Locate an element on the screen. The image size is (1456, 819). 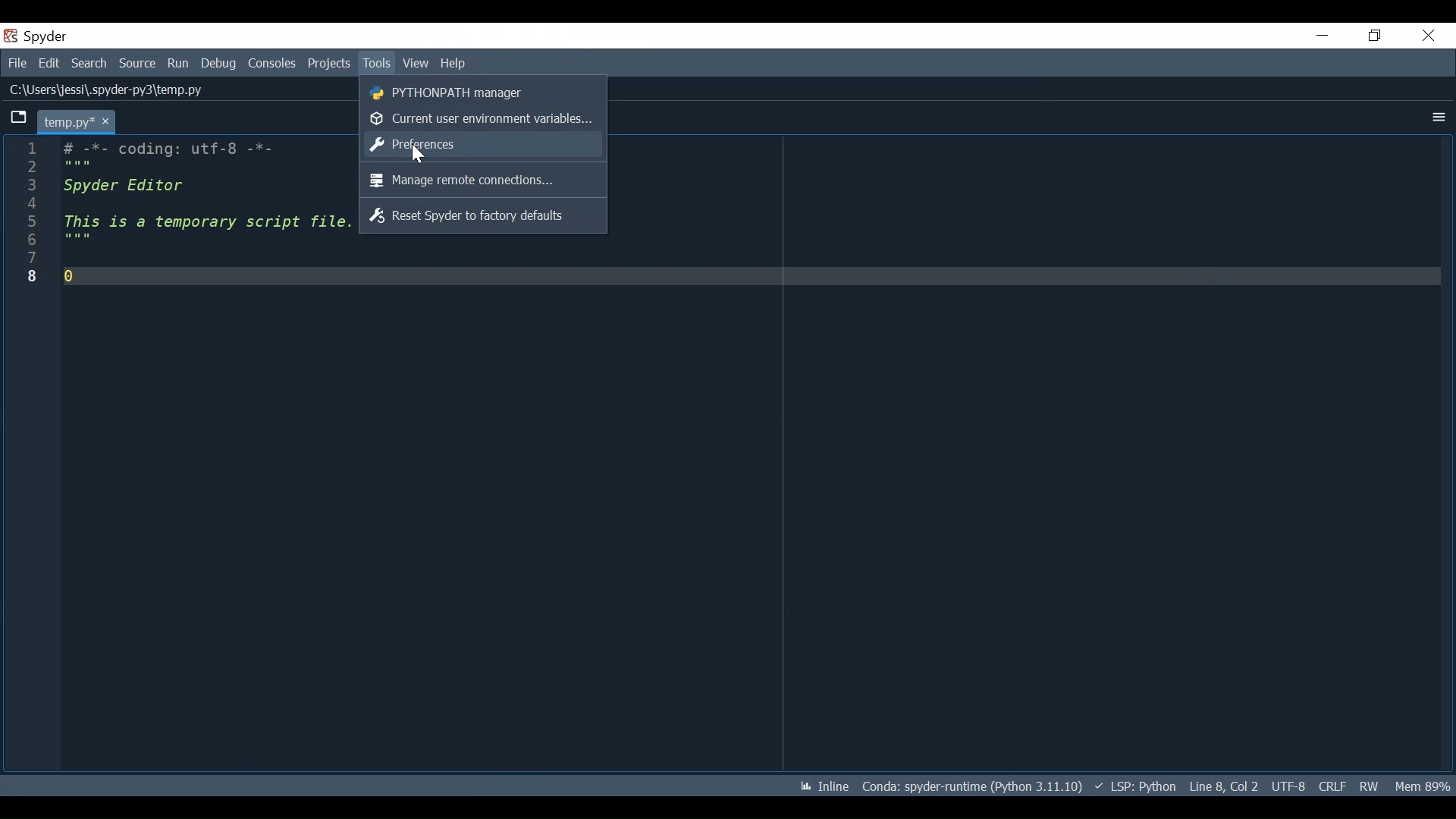
Tools is located at coordinates (375, 64).